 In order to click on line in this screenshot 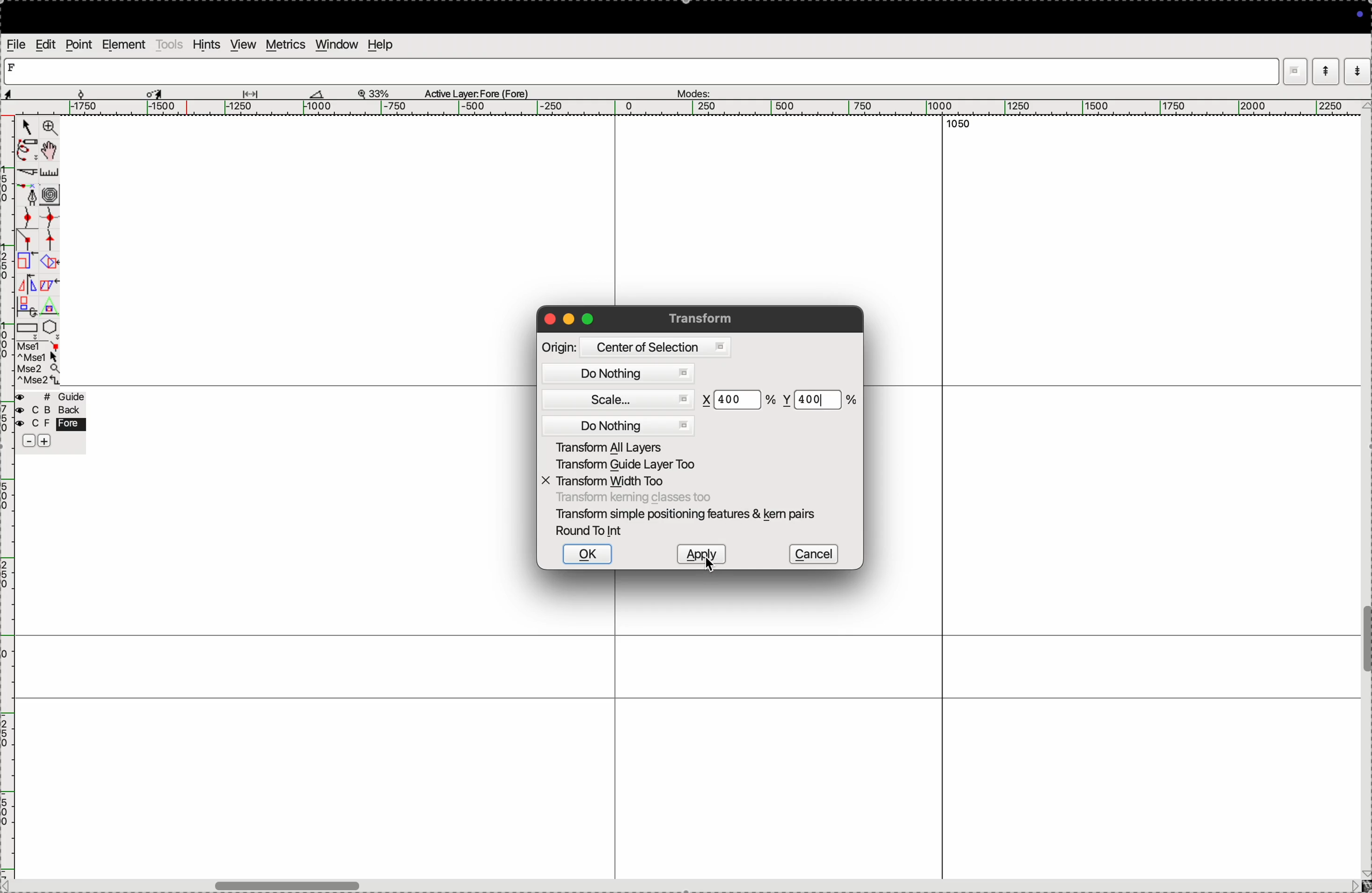, I will do `click(29, 242)`.